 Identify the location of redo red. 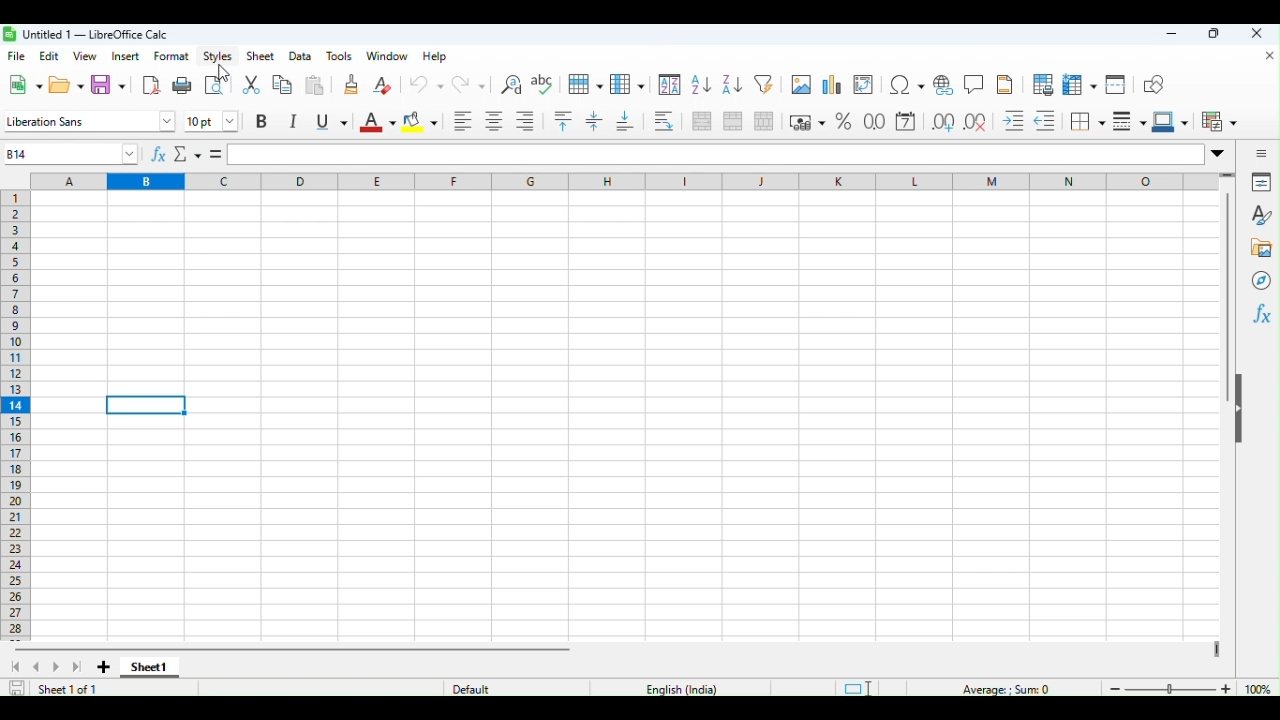
(464, 82).